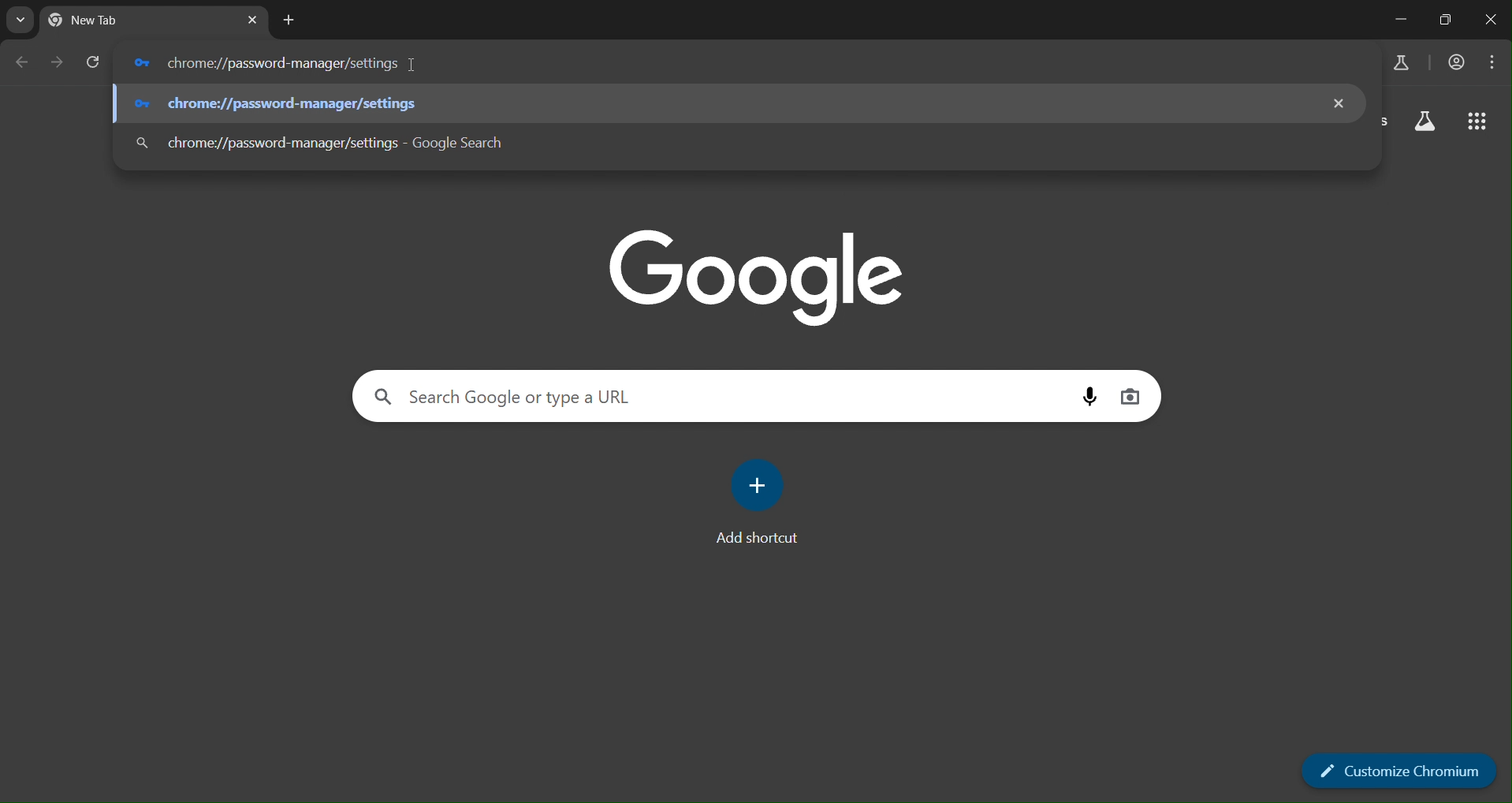 The image size is (1512, 803). I want to click on search tabs, so click(20, 21).